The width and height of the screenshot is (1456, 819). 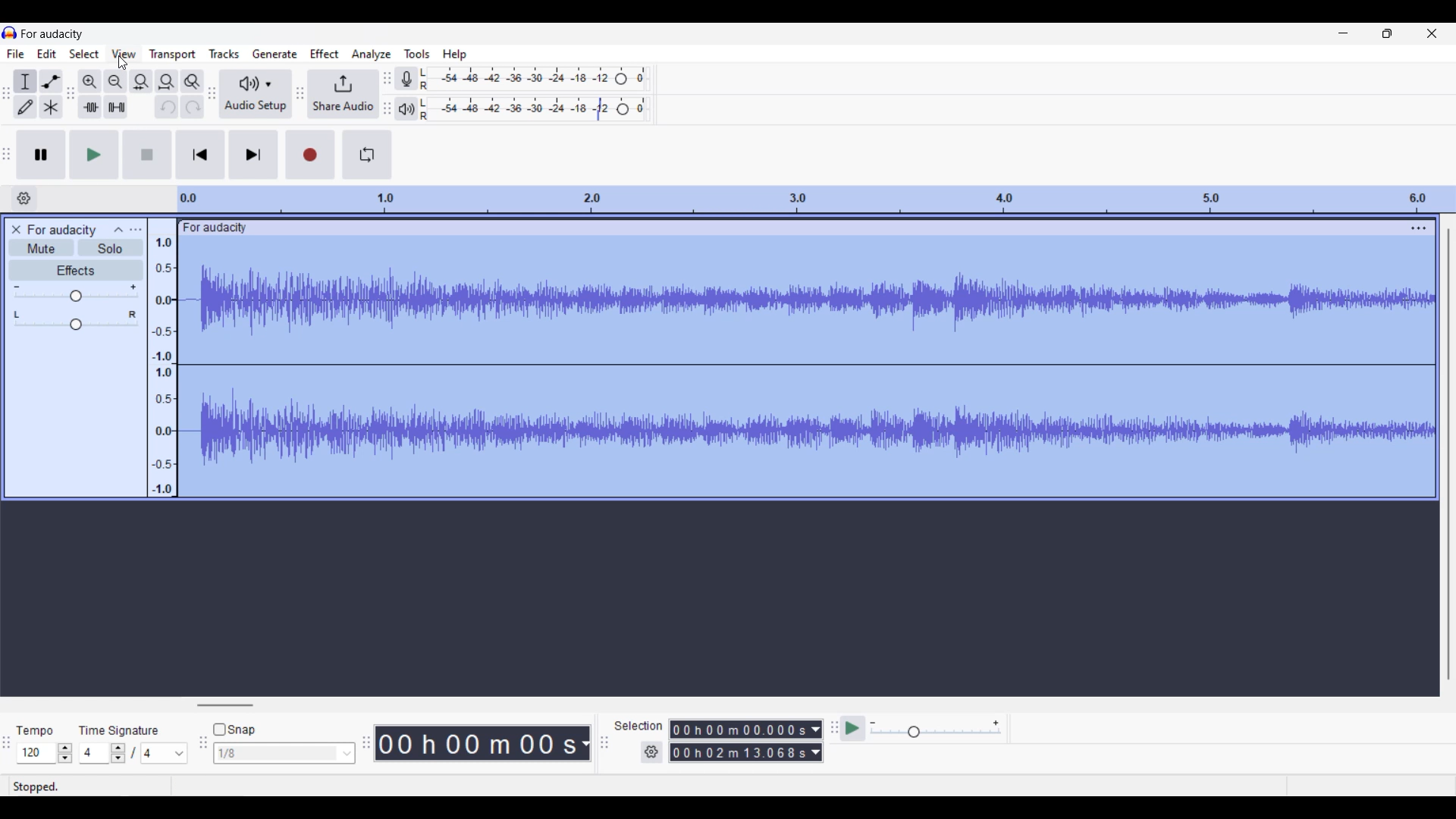 What do you see at coordinates (224, 54) in the screenshot?
I see `Tracks menu` at bounding box center [224, 54].